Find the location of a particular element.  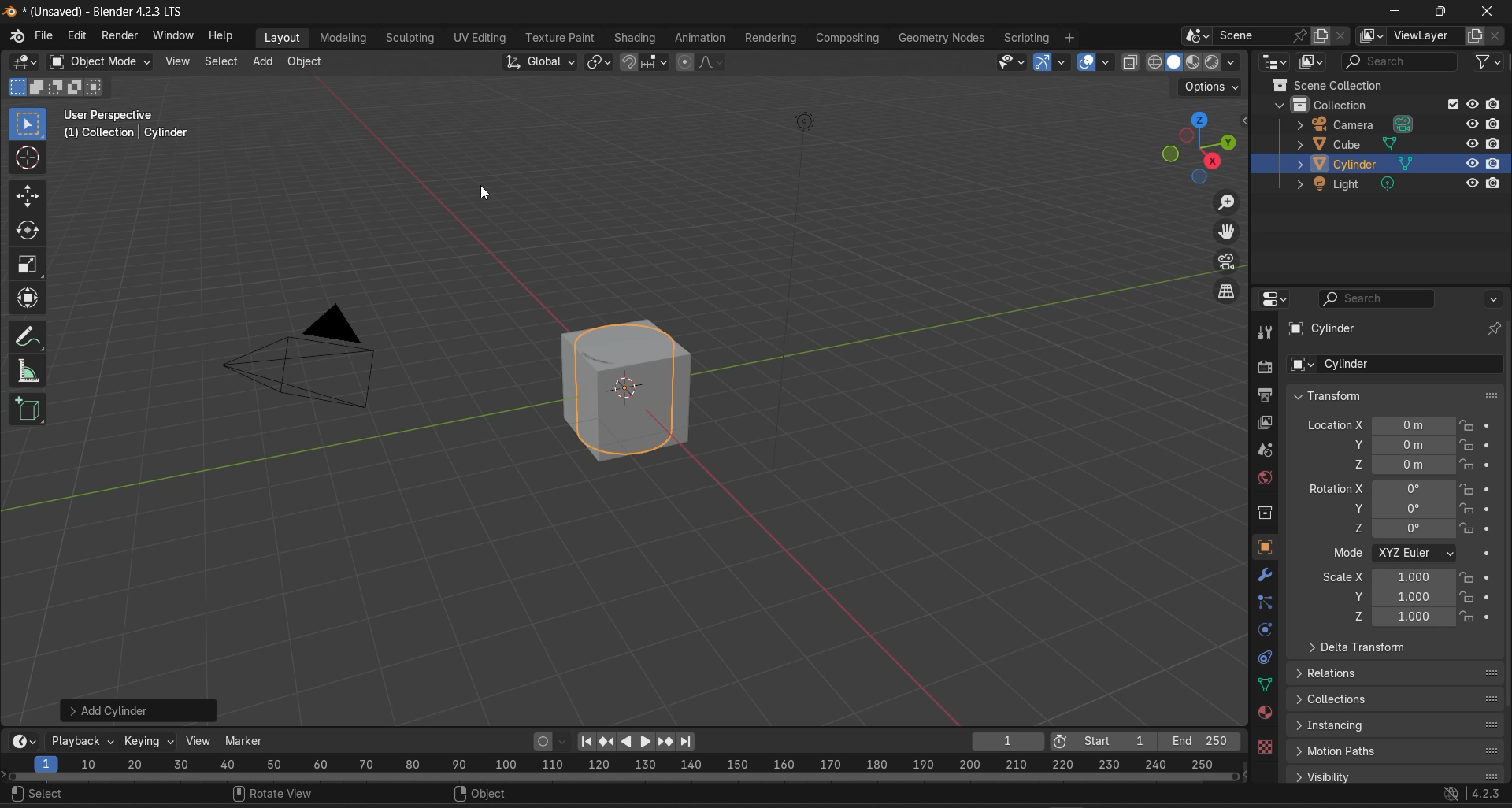

particles is located at coordinates (1267, 602).